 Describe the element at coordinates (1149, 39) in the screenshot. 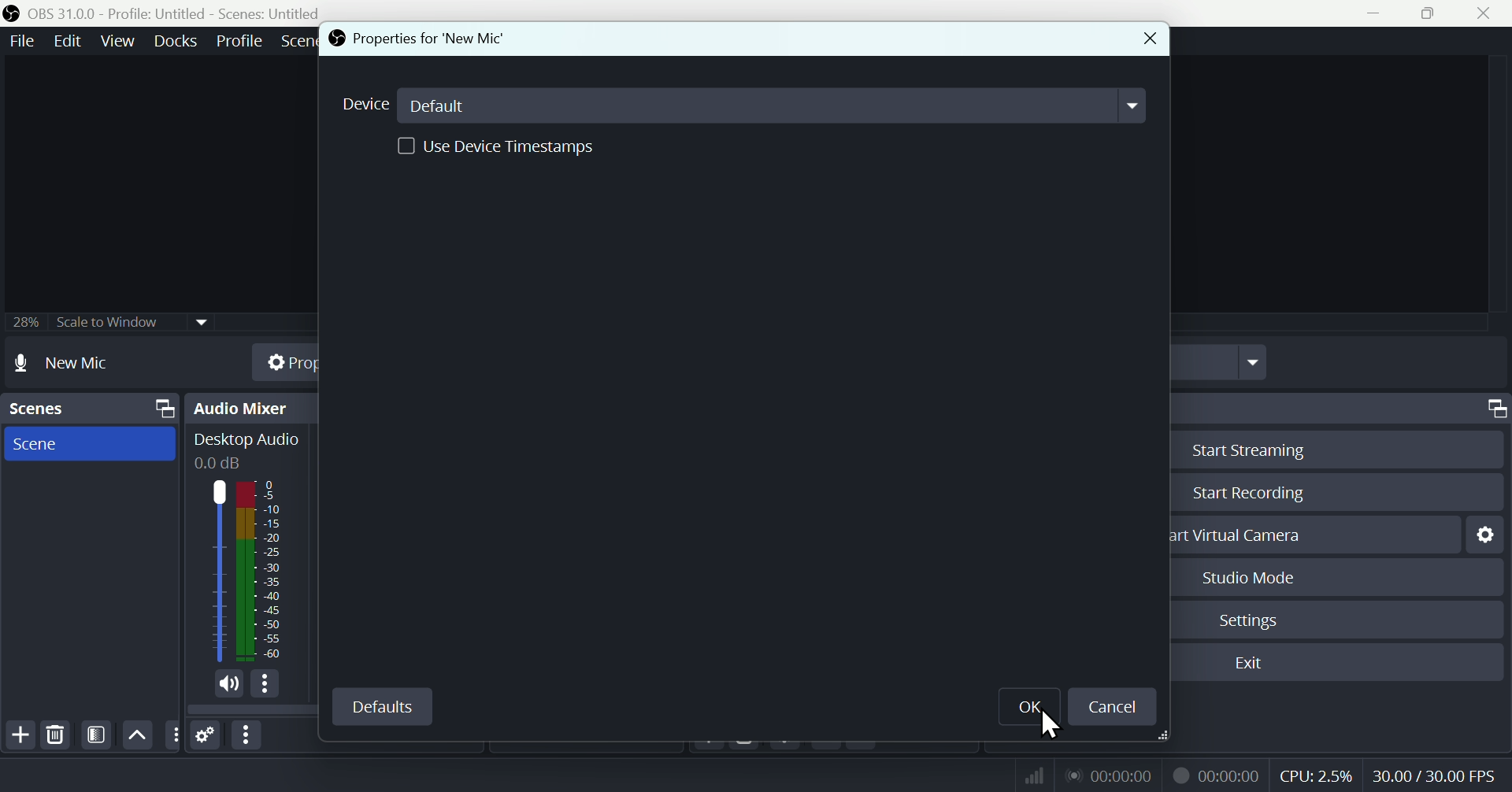

I see `Close` at that location.